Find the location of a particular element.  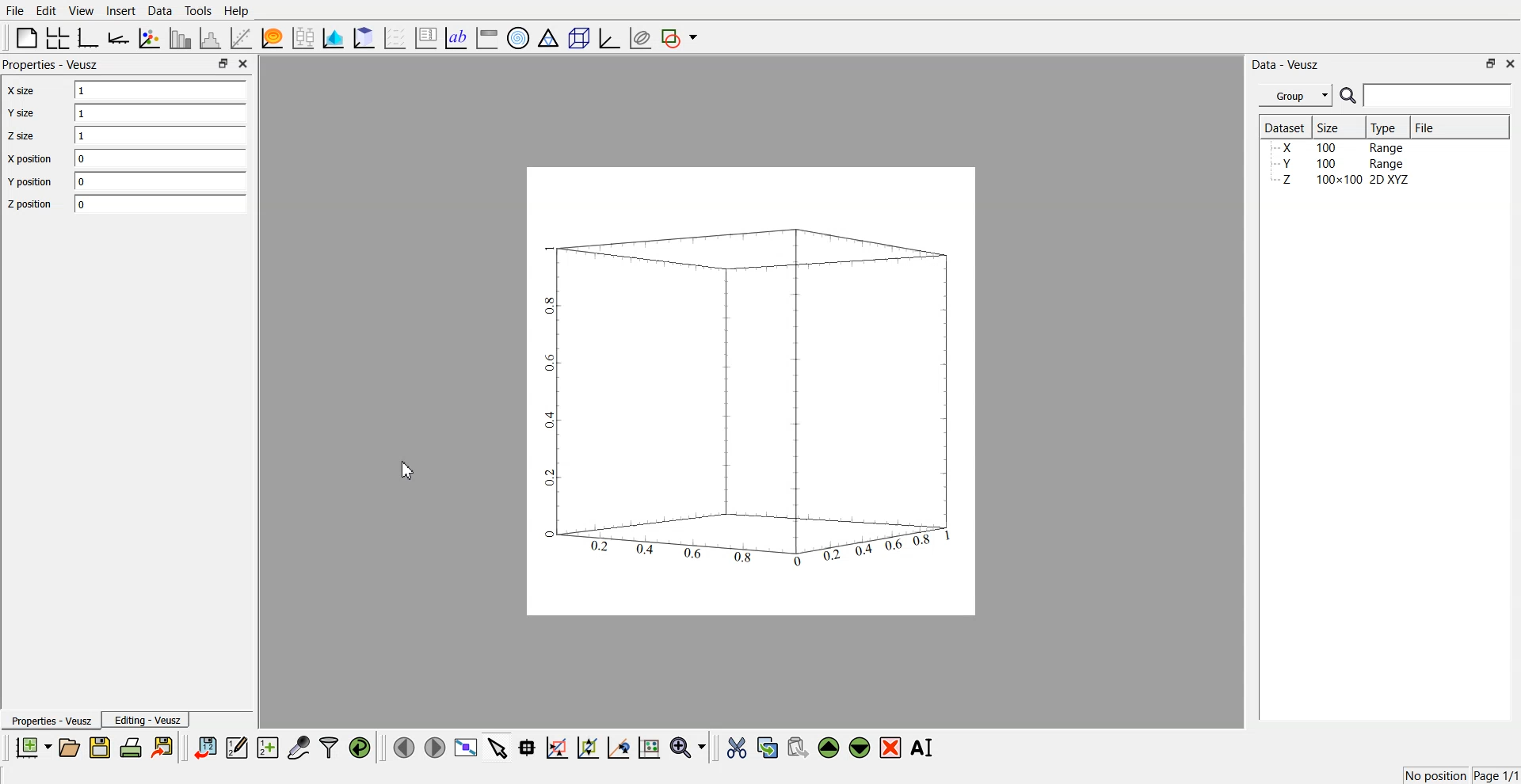

Edit is located at coordinates (45, 11).